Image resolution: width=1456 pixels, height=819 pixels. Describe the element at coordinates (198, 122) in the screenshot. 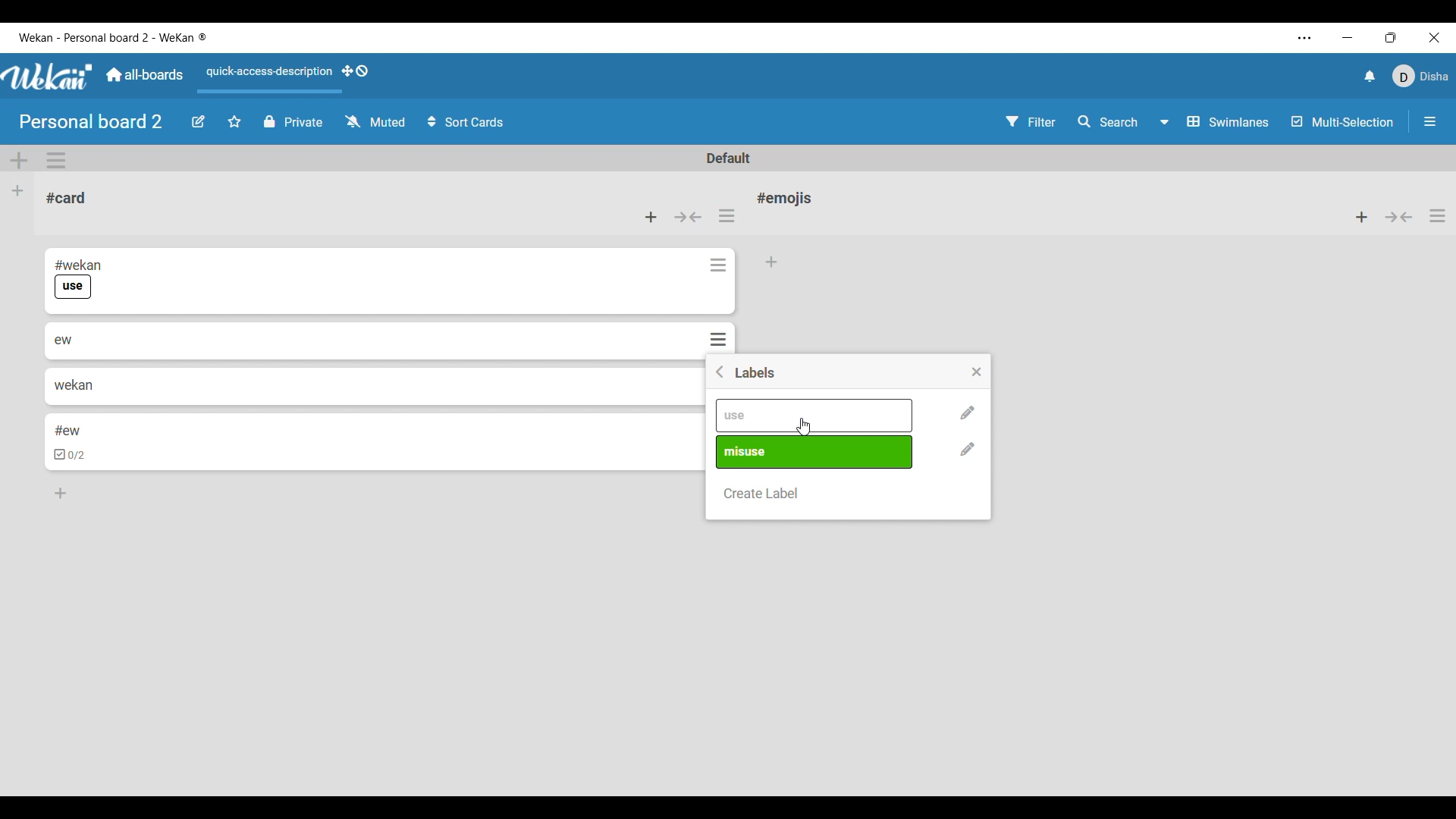

I see `Edit` at that location.